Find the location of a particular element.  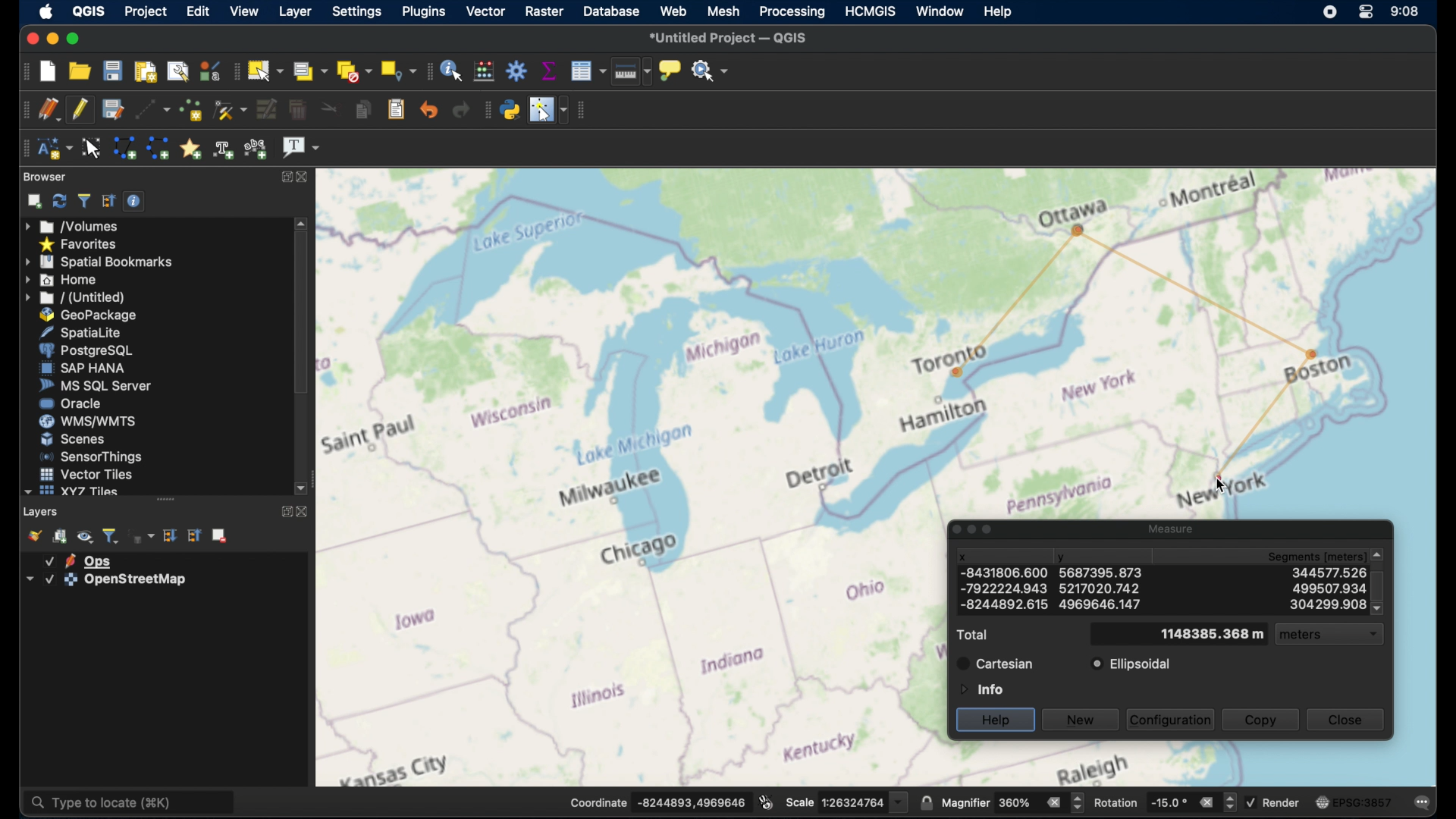

create line annotation is located at coordinates (158, 148).